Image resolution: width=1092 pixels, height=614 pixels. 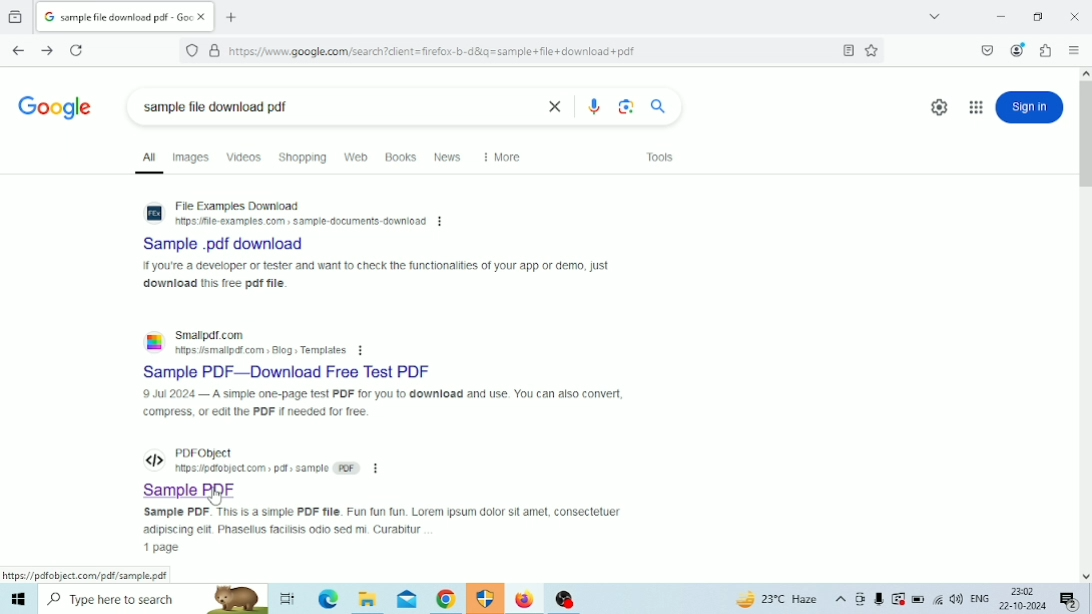 What do you see at coordinates (368, 598) in the screenshot?
I see `File Explorer` at bounding box center [368, 598].